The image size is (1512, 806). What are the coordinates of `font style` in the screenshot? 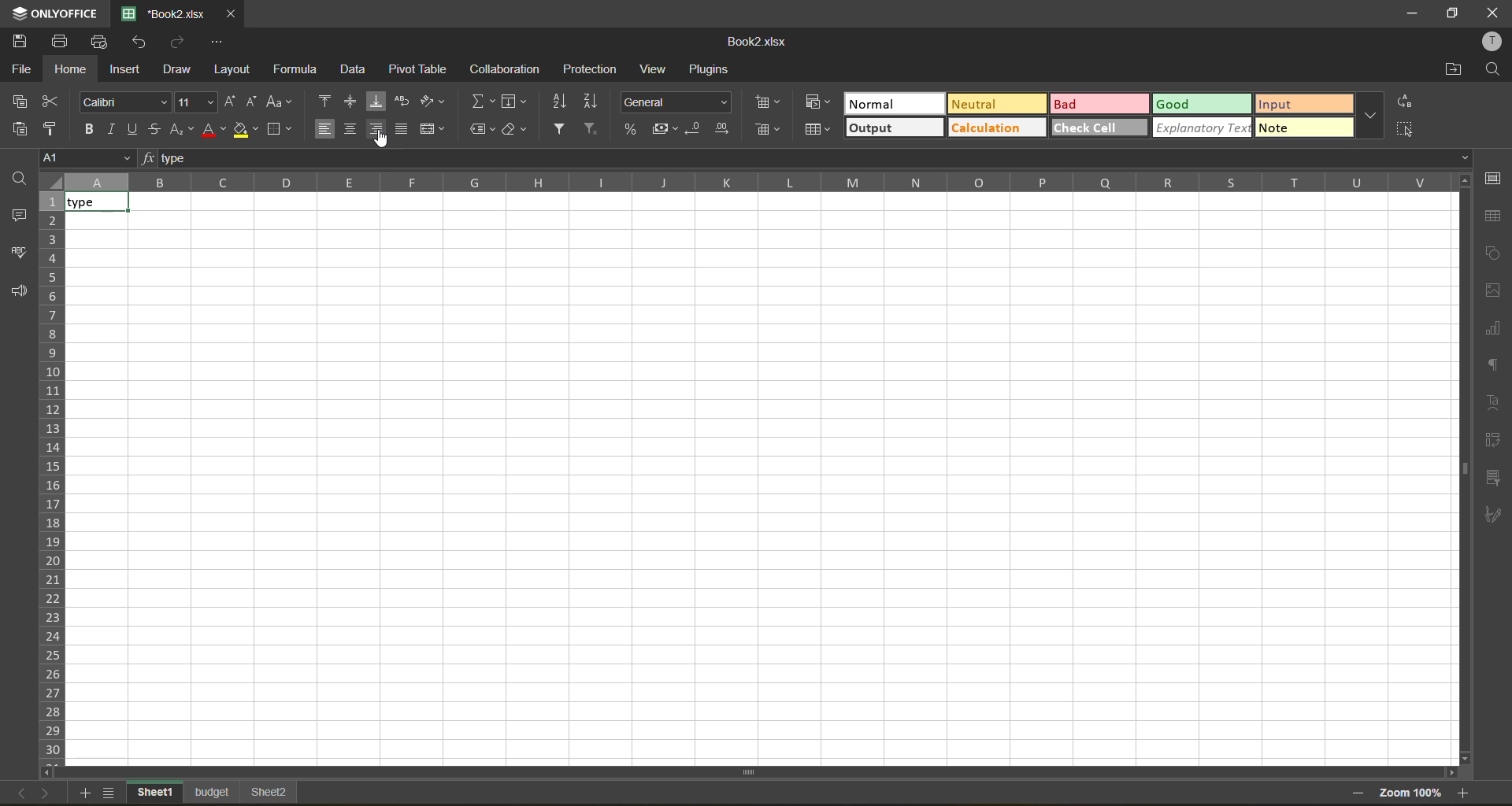 It's located at (124, 102).